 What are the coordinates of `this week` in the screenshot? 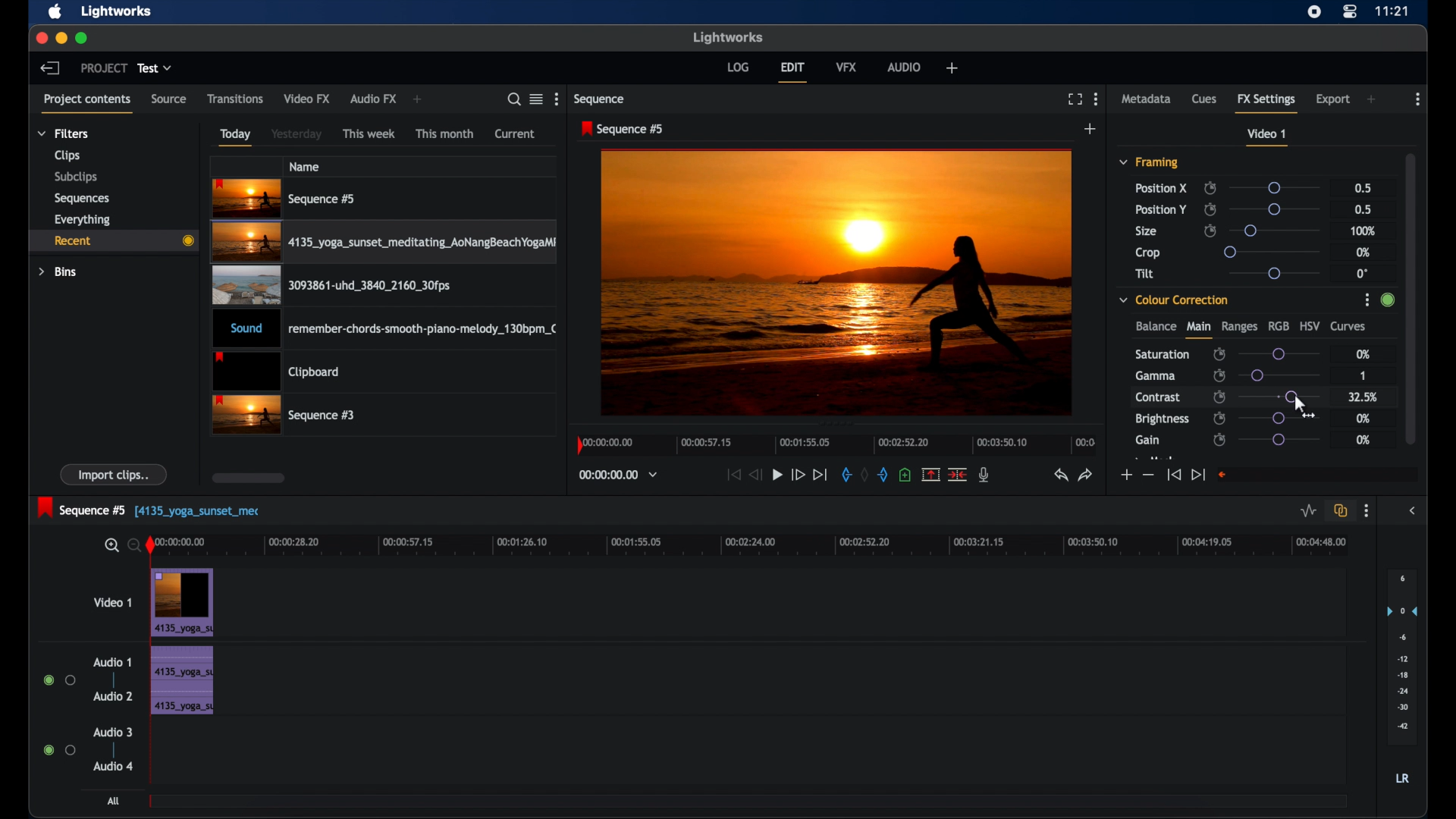 It's located at (369, 134).